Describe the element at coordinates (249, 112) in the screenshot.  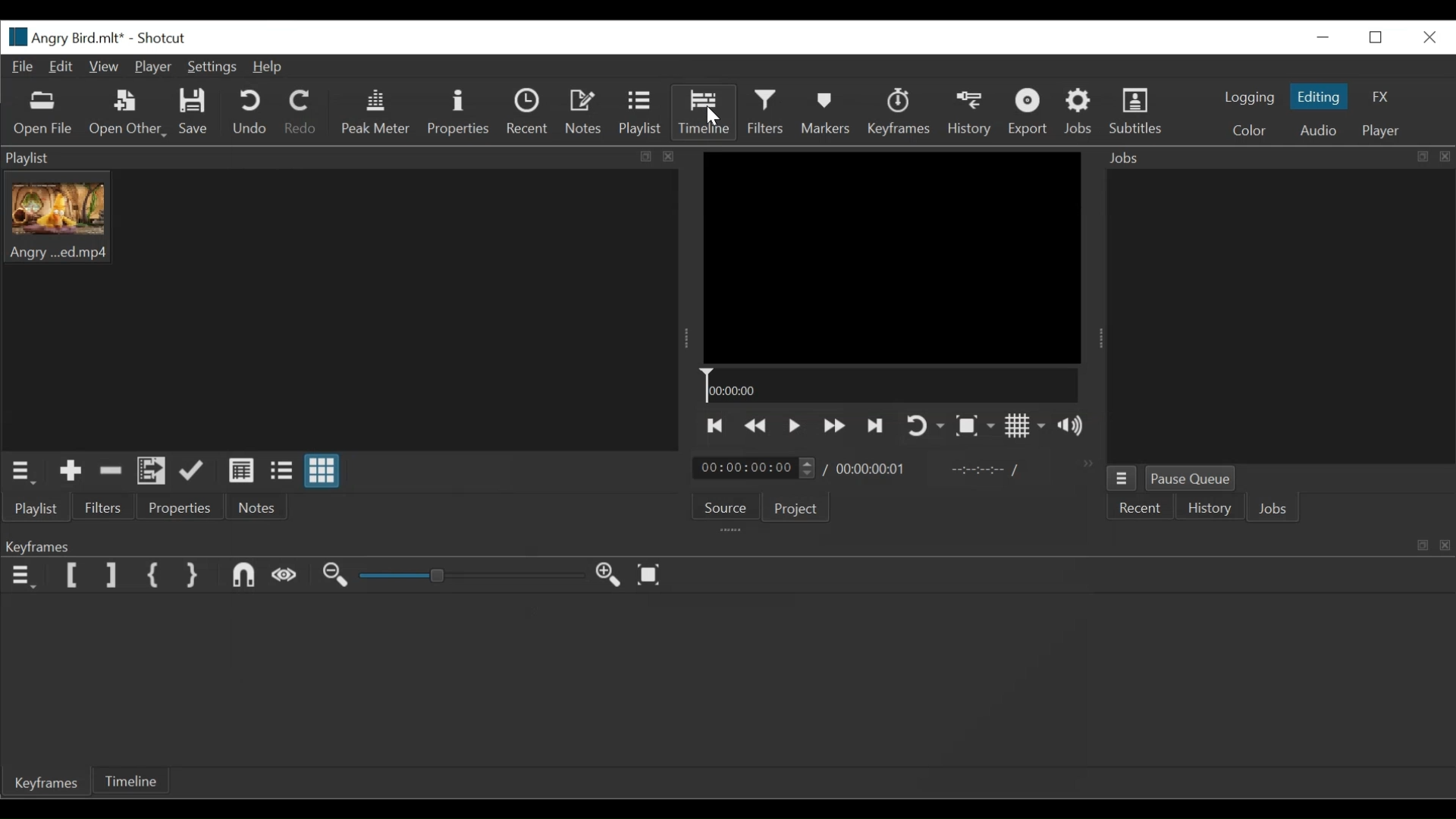
I see `Undo` at that location.